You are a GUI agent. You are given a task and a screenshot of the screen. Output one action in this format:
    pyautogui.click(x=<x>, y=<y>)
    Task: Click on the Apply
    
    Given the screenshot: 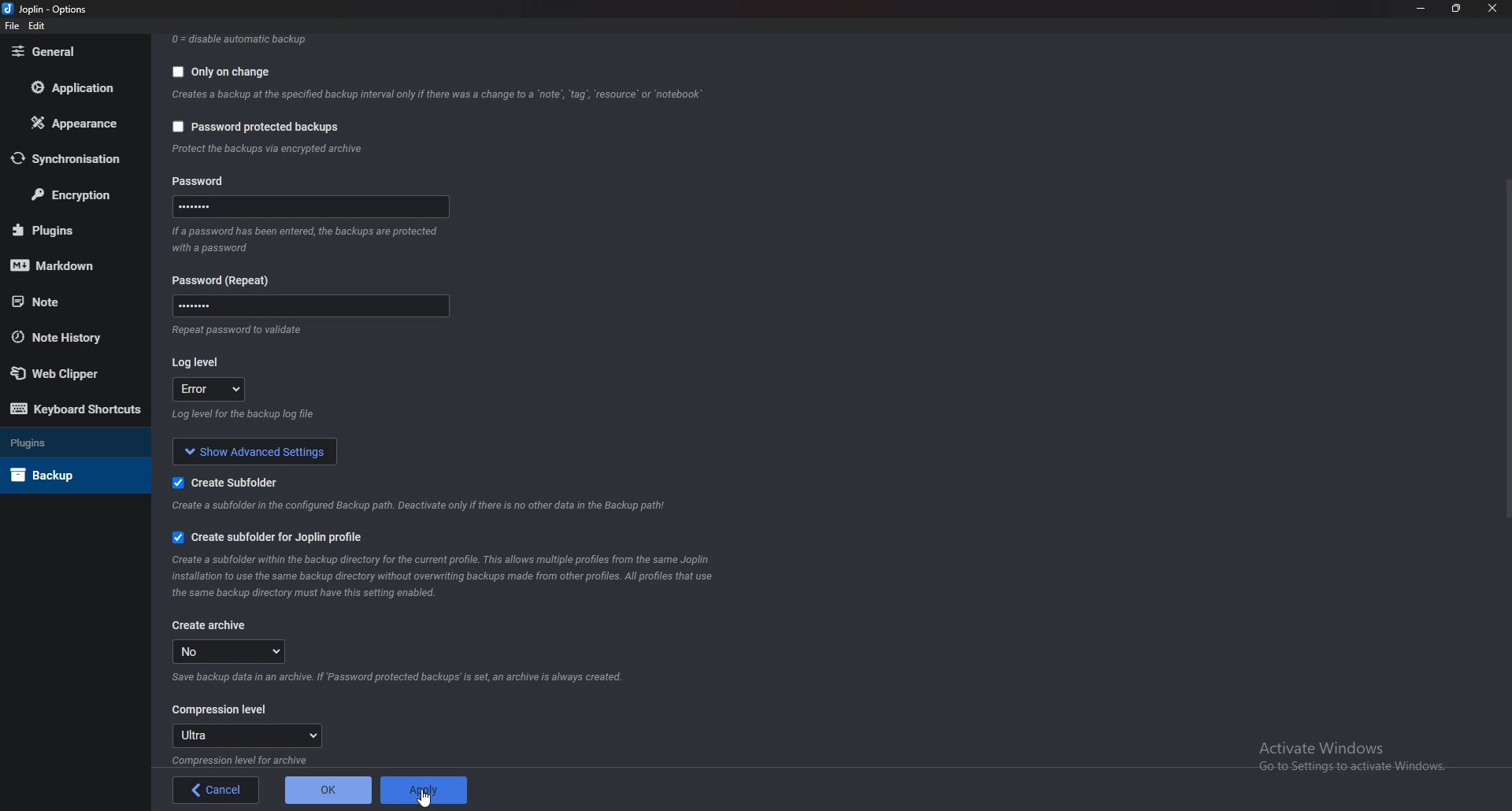 What is the action you would take?
    pyautogui.click(x=422, y=788)
    